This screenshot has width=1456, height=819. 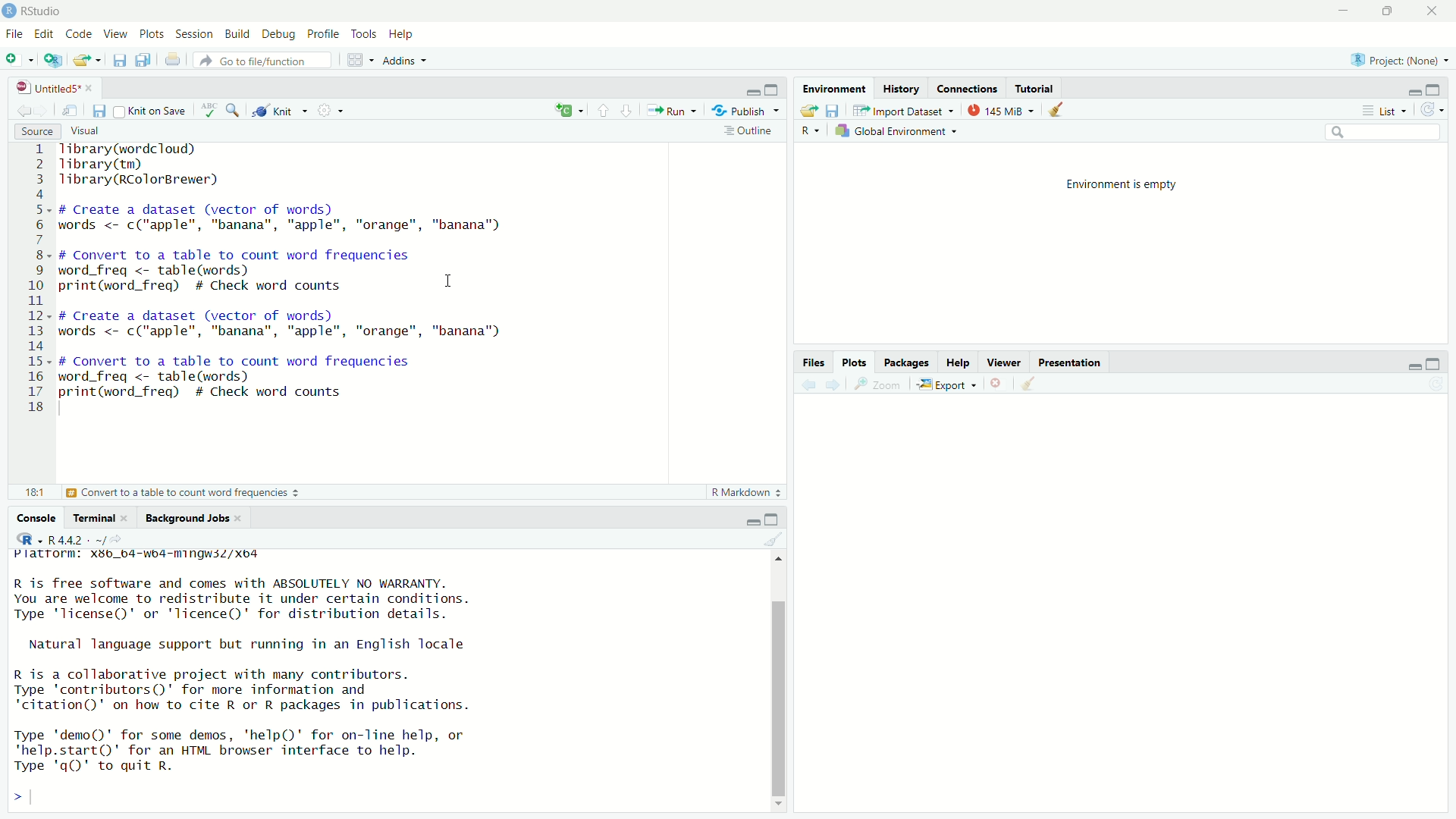 What do you see at coordinates (331, 110) in the screenshot?
I see `Settings` at bounding box center [331, 110].